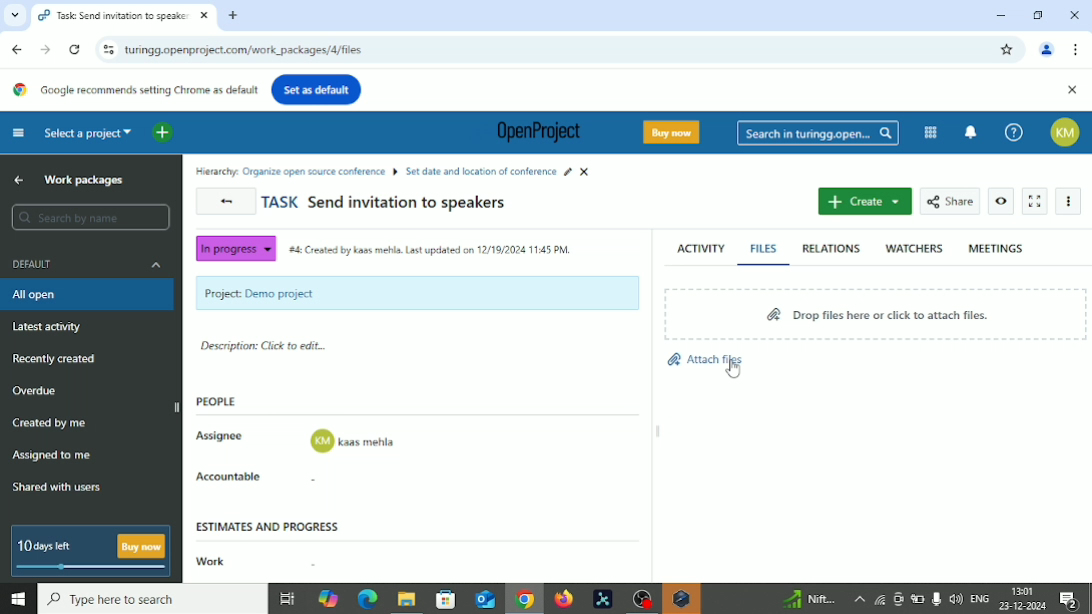 The image size is (1092, 614). What do you see at coordinates (330, 597) in the screenshot?
I see `Copilot` at bounding box center [330, 597].